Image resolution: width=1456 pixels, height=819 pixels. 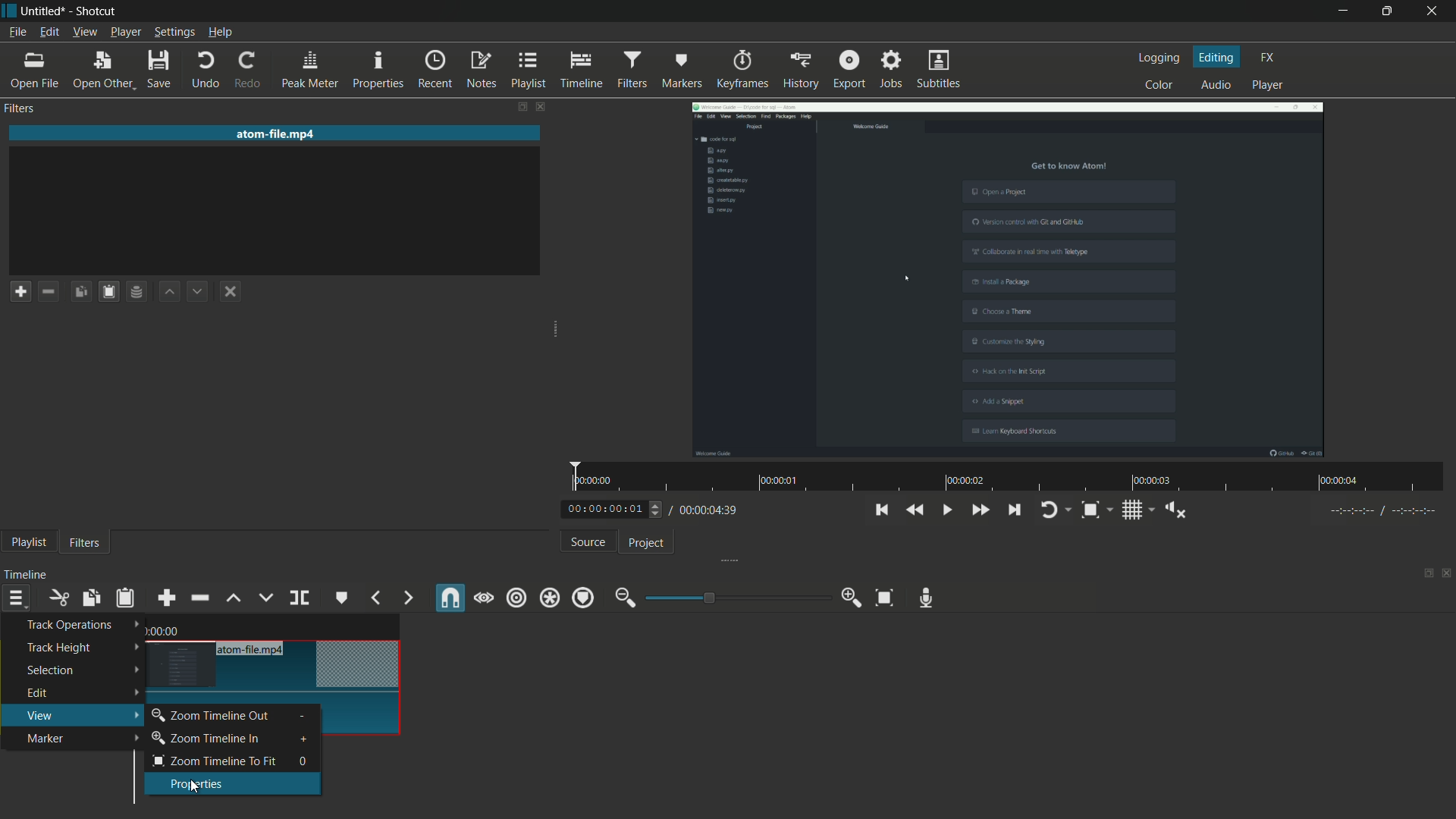 I want to click on create or edit marker, so click(x=342, y=598).